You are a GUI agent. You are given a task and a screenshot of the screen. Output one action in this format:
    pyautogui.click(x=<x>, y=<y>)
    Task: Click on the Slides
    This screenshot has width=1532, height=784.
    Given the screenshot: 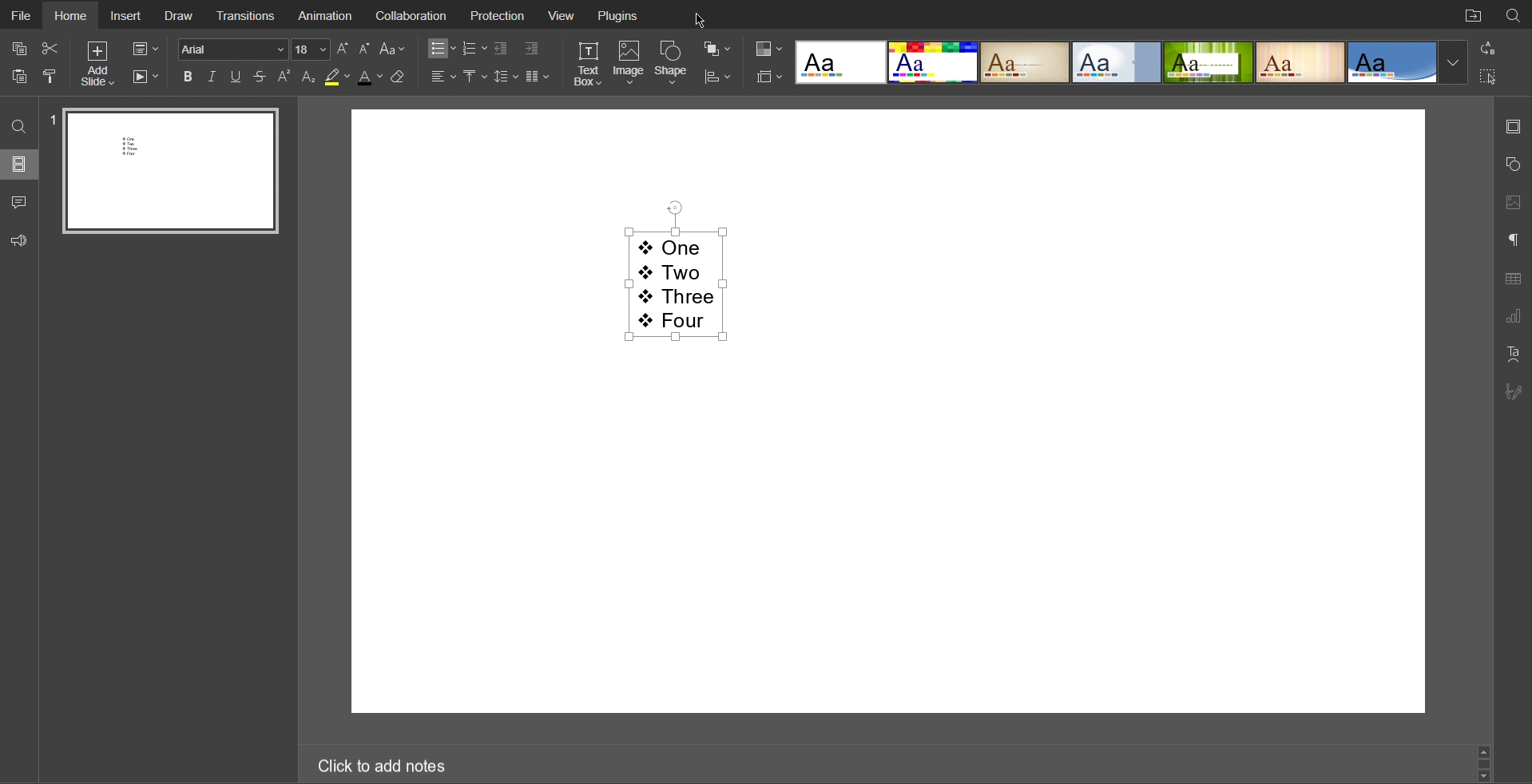 What is the action you would take?
    pyautogui.click(x=22, y=164)
    